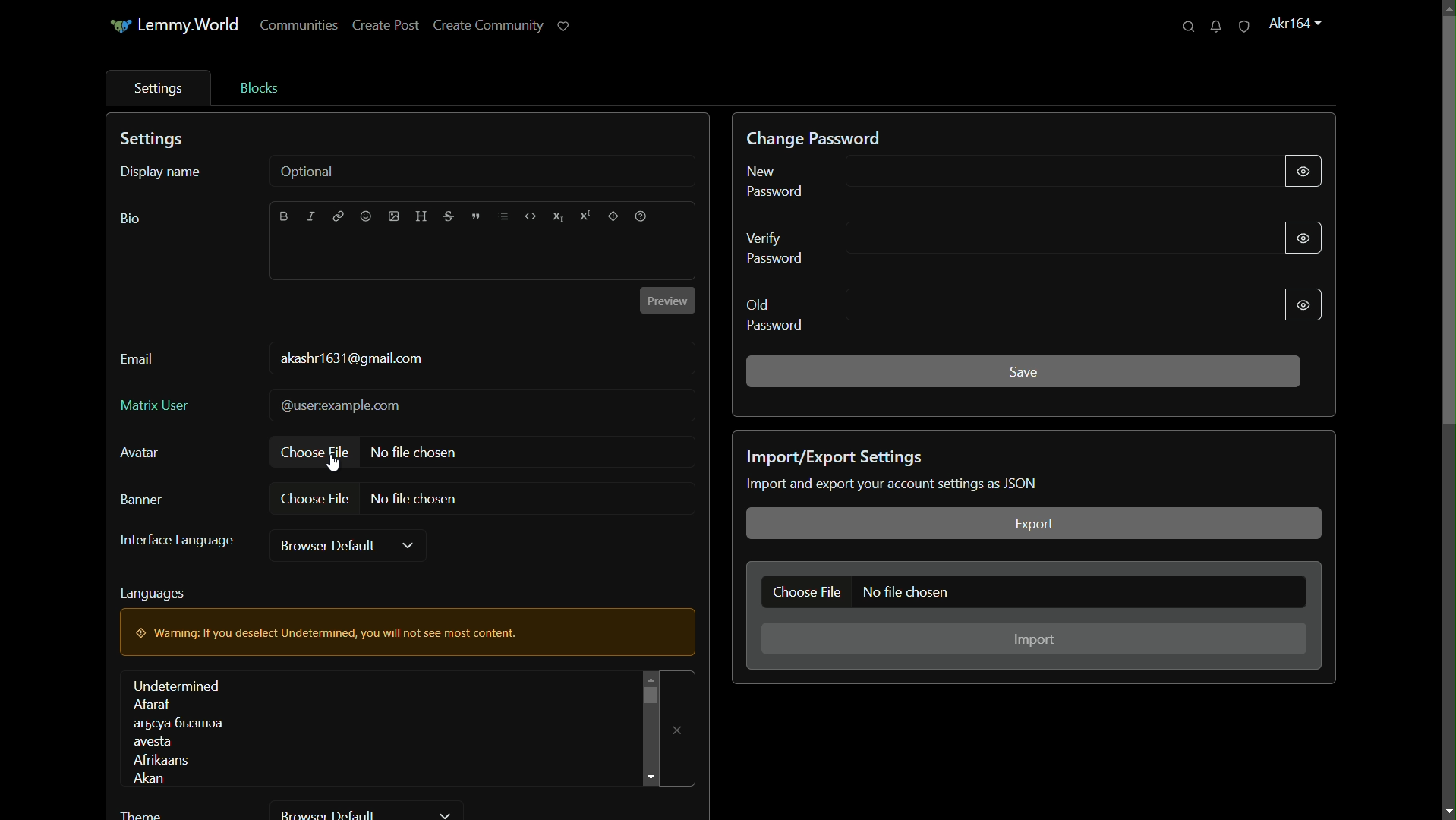 The image size is (1456, 820). I want to click on verify password, so click(780, 248).